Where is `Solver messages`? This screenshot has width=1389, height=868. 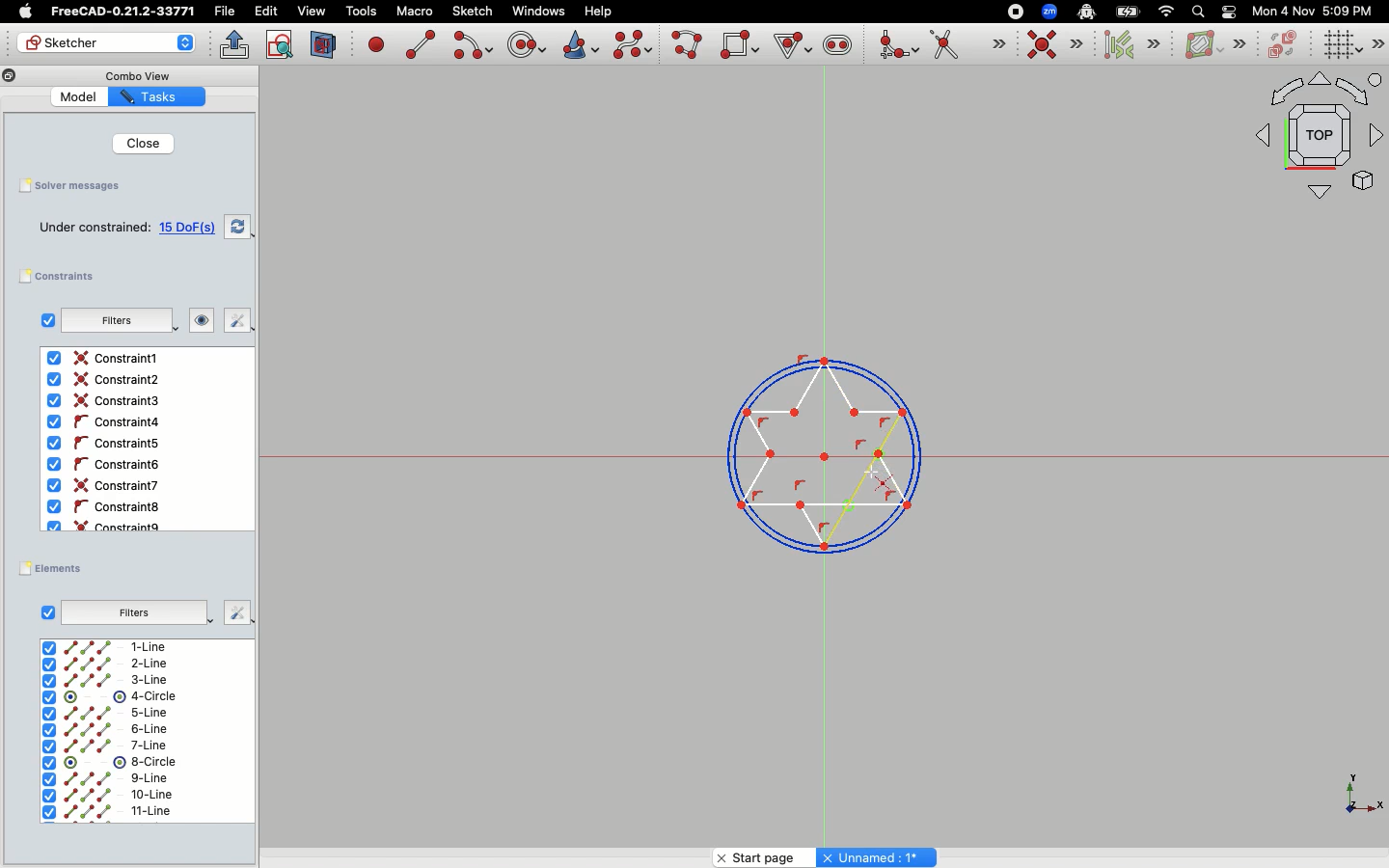 Solver messages is located at coordinates (71, 187).